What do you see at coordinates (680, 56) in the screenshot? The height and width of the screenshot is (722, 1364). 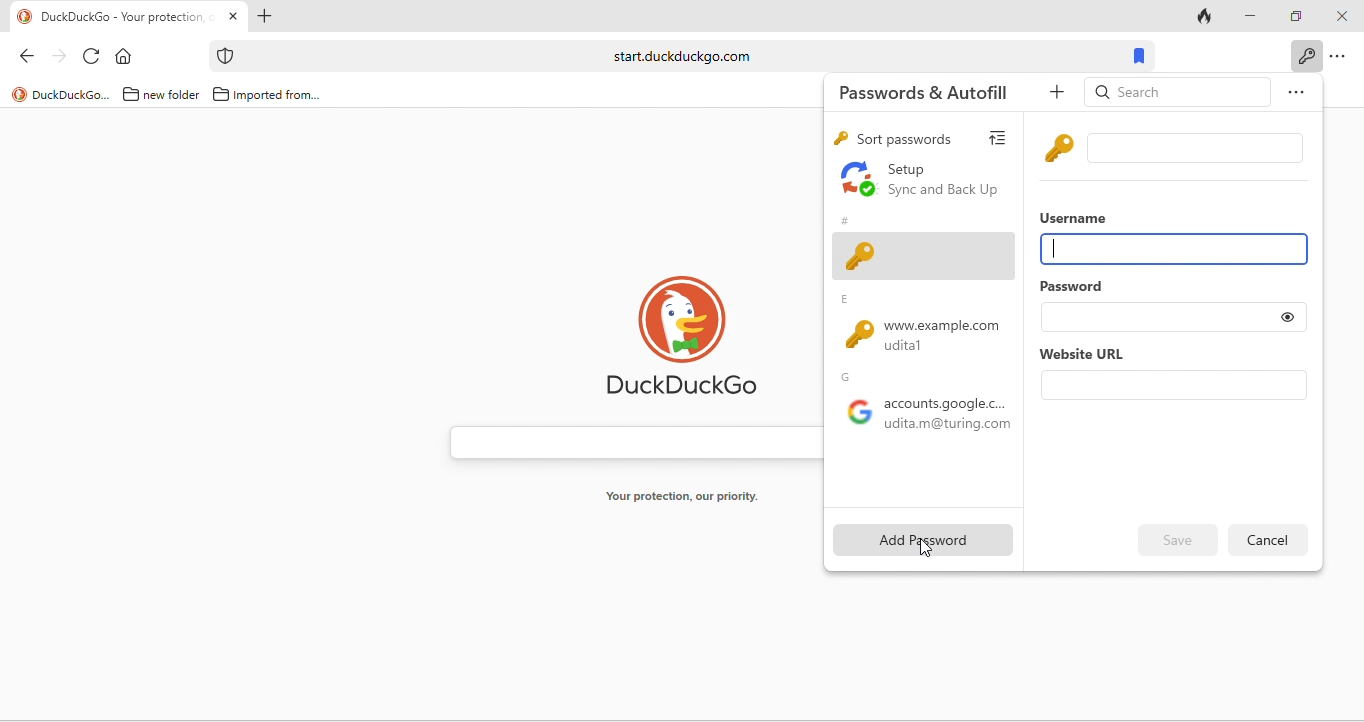 I see `start.duckduckgo.com` at bounding box center [680, 56].